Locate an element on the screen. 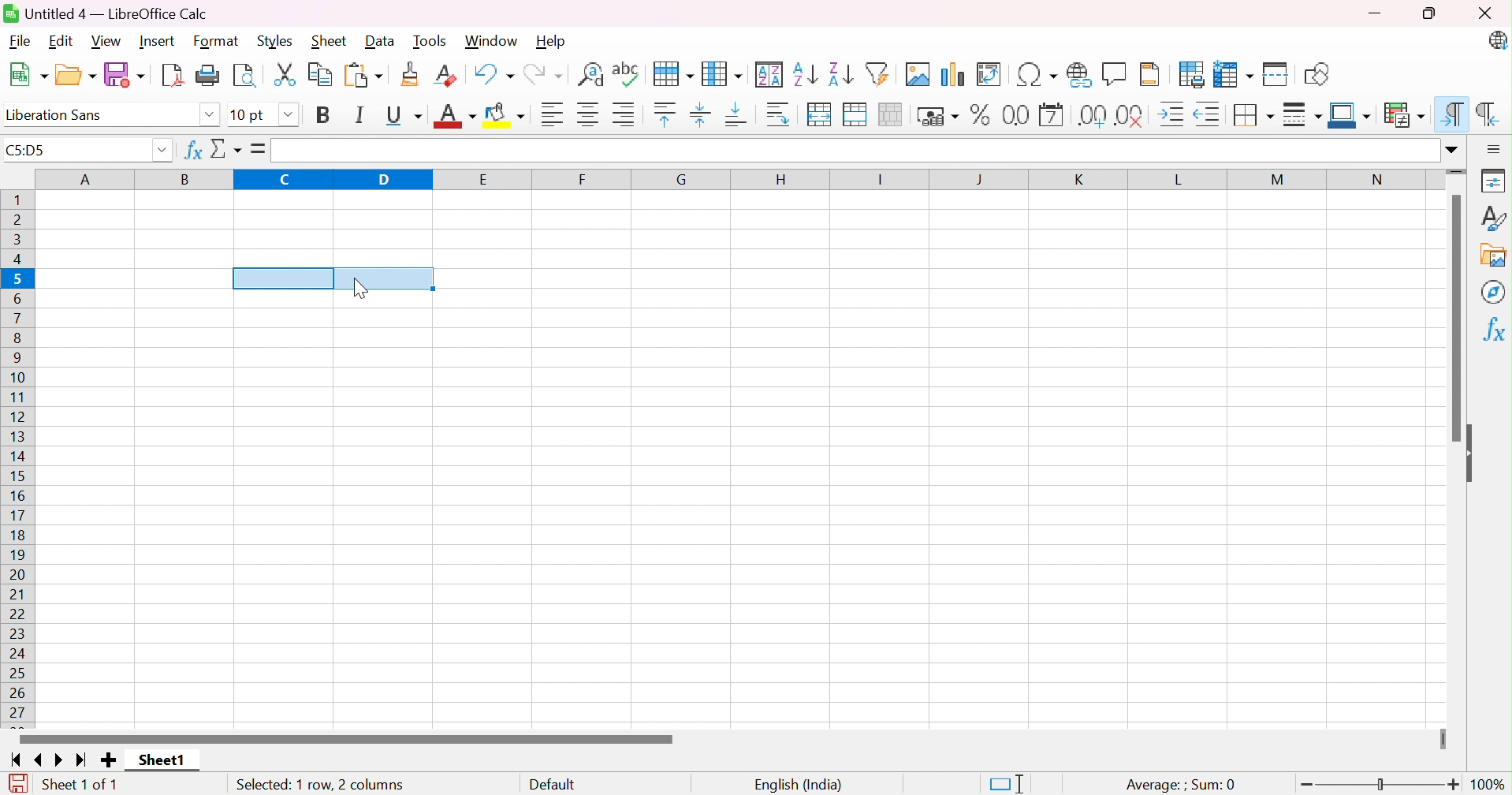 The height and width of the screenshot is (795, 1512). Align Left is located at coordinates (550, 114).